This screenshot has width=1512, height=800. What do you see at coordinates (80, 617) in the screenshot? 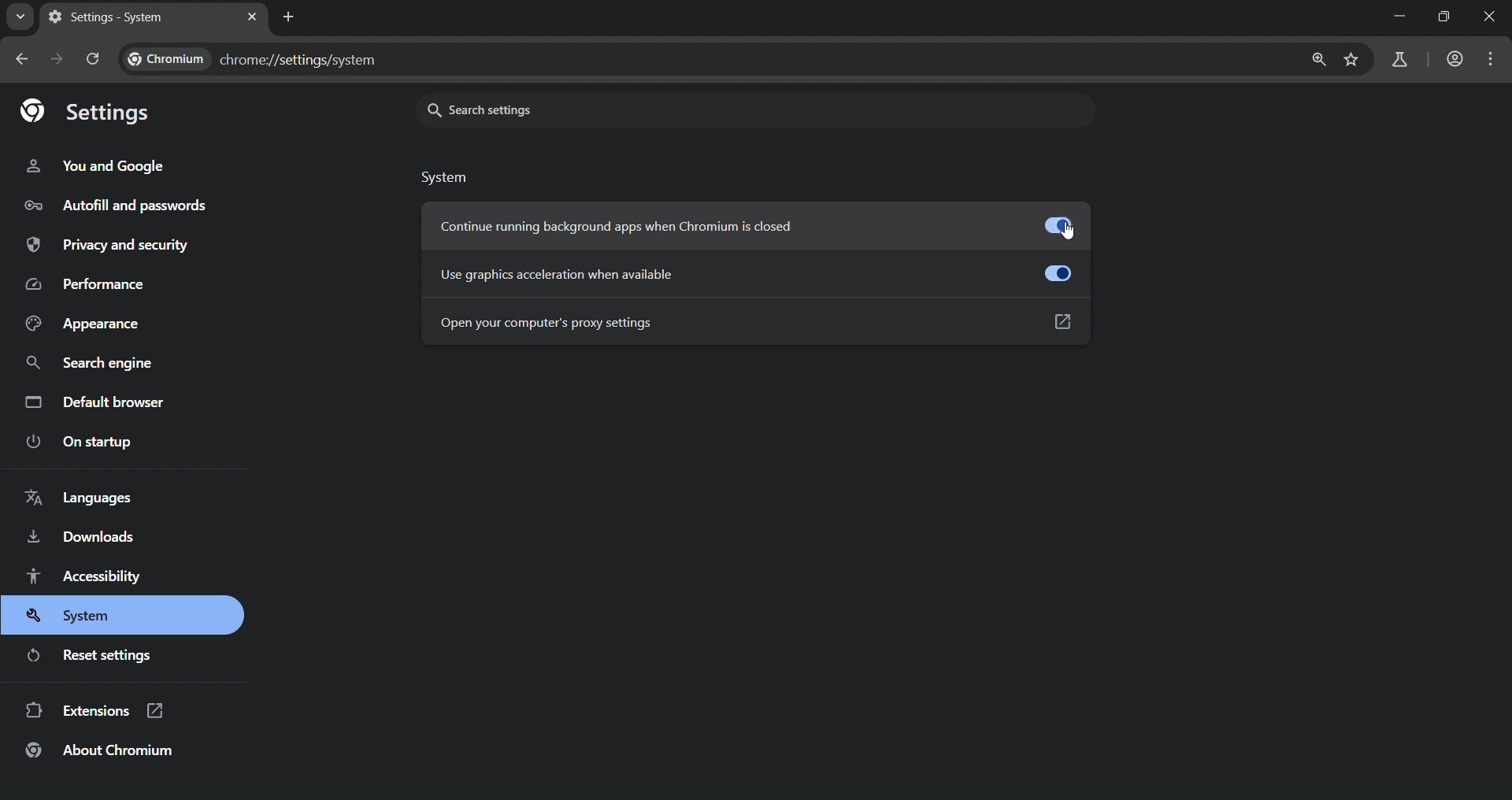
I see `system` at bounding box center [80, 617].